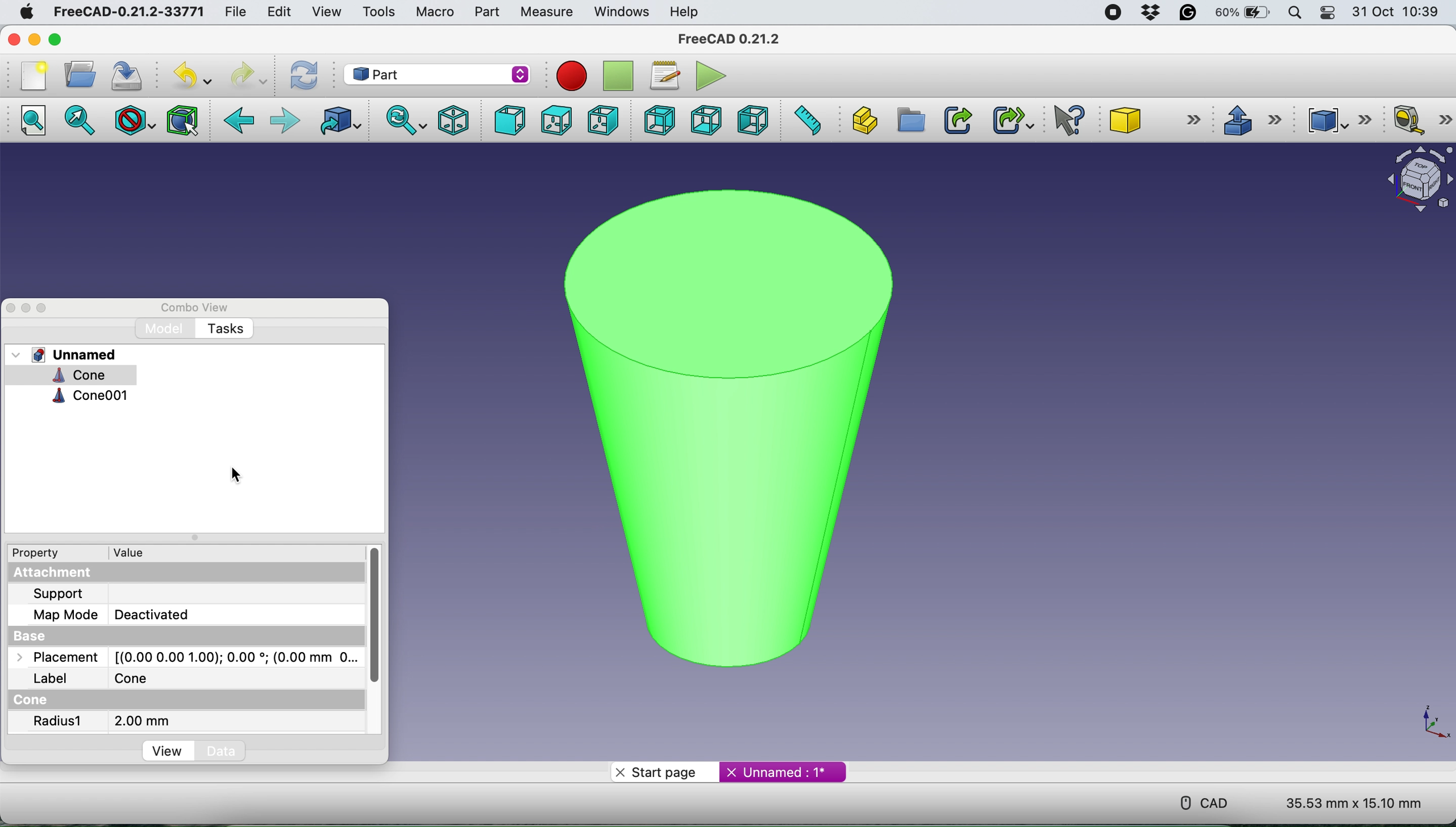 The height and width of the screenshot is (827, 1456). I want to click on refresh, so click(302, 75).